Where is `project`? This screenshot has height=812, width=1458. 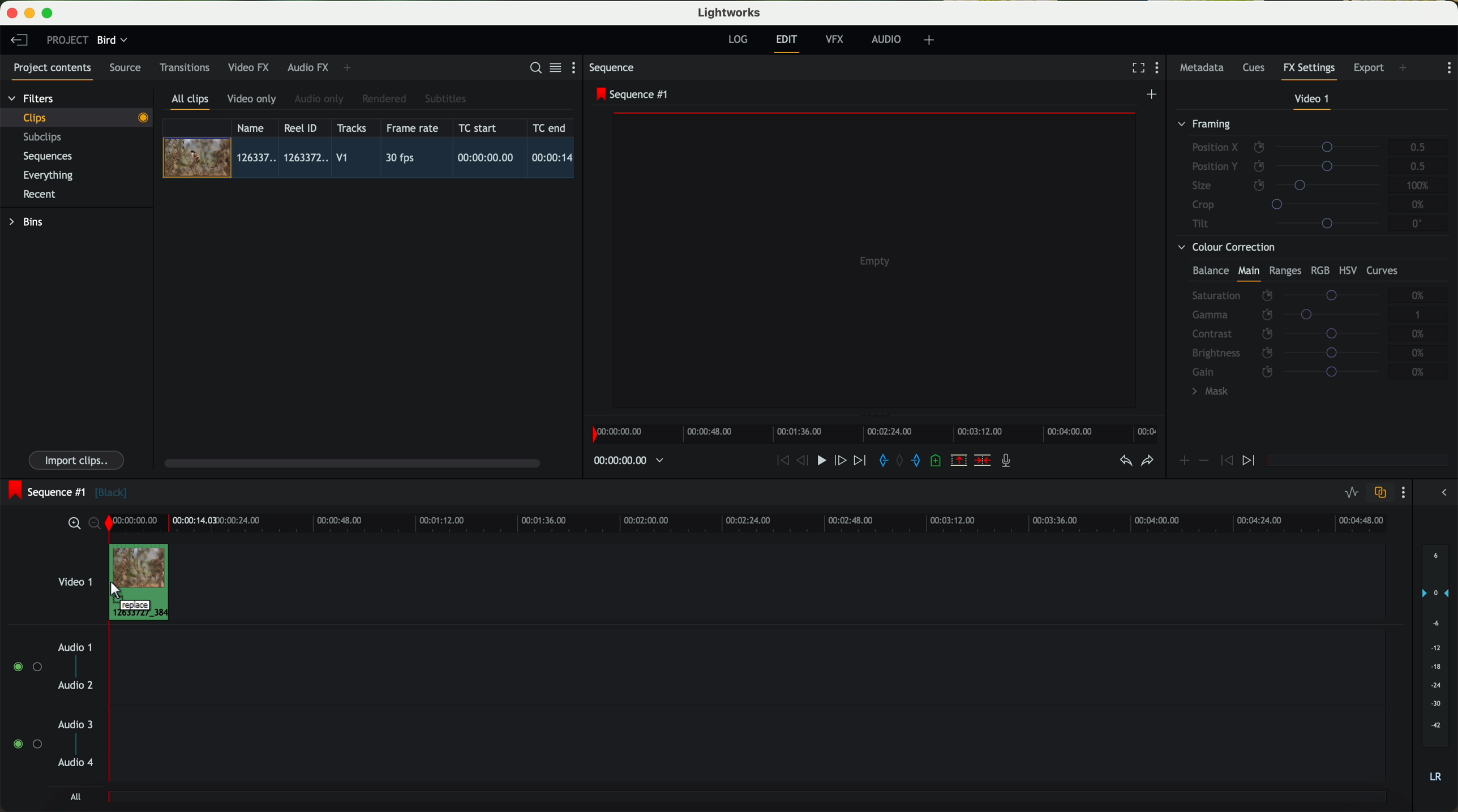 project is located at coordinates (67, 40).